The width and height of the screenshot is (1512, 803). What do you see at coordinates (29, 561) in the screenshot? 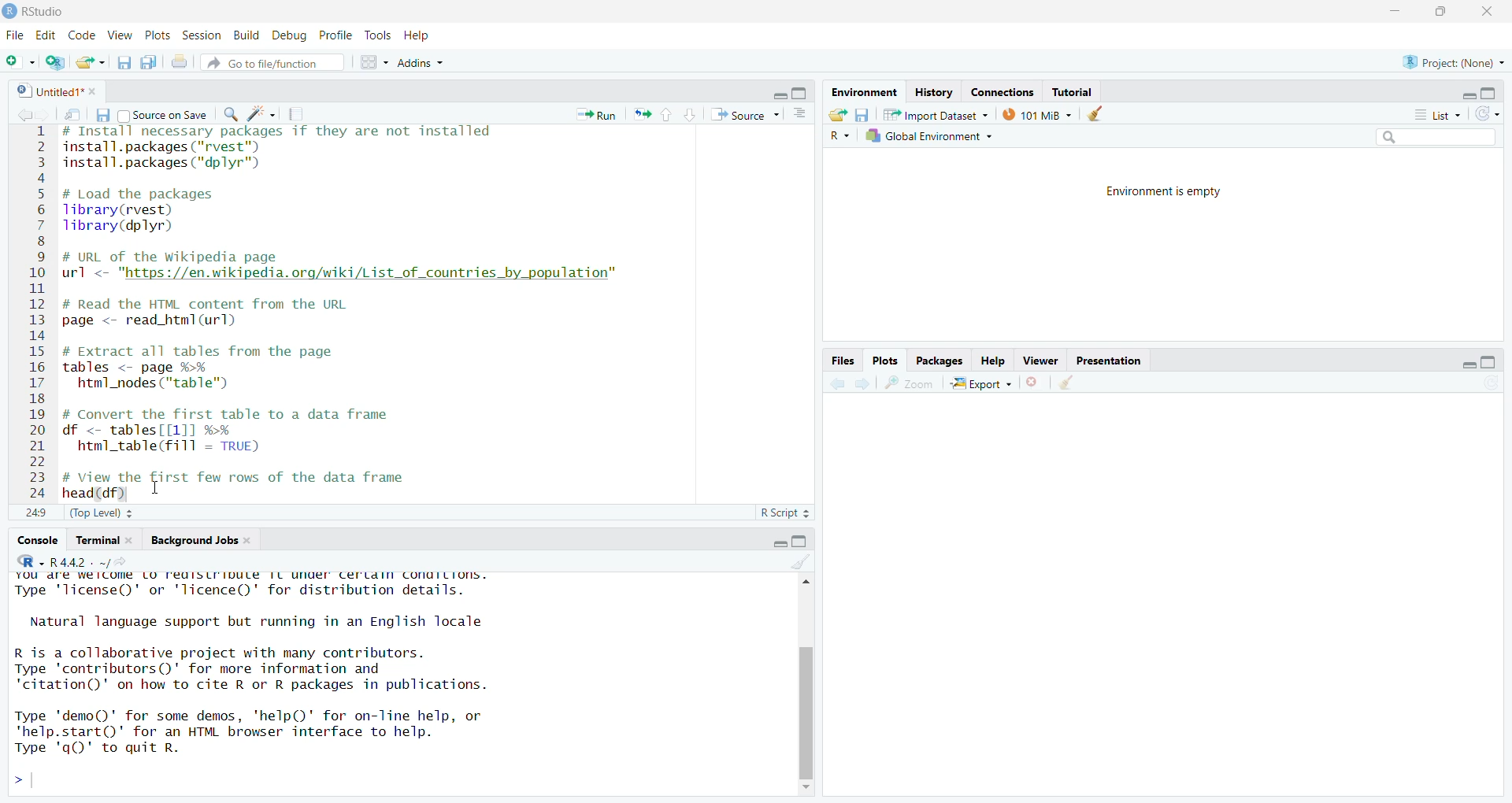
I see `RStudio` at bounding box center [29, 561].